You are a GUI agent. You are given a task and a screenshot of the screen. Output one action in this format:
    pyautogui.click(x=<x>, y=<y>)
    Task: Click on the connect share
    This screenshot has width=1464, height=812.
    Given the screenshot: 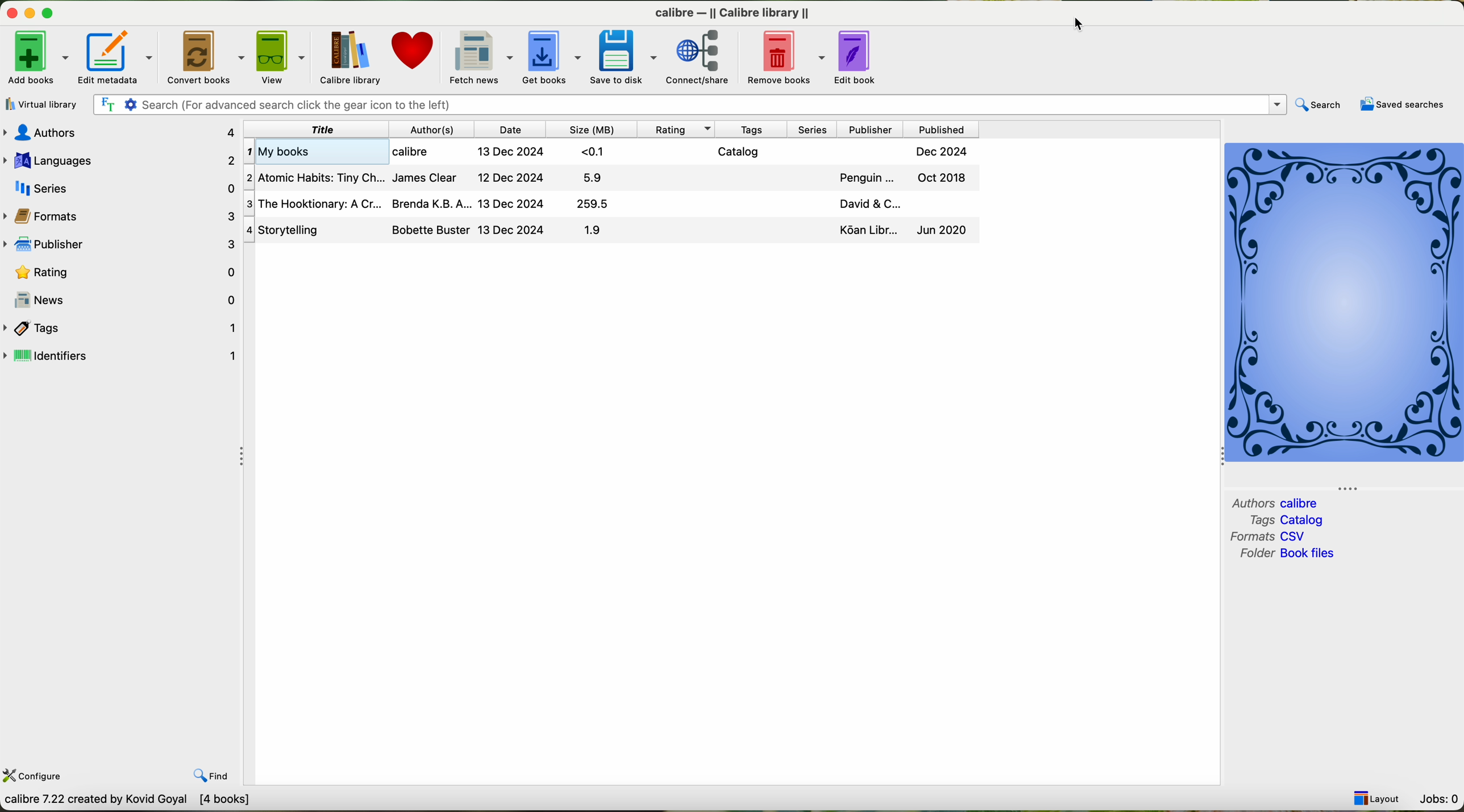 What is the action you would take?
    pyautogui.click(x=704, y=58)
    